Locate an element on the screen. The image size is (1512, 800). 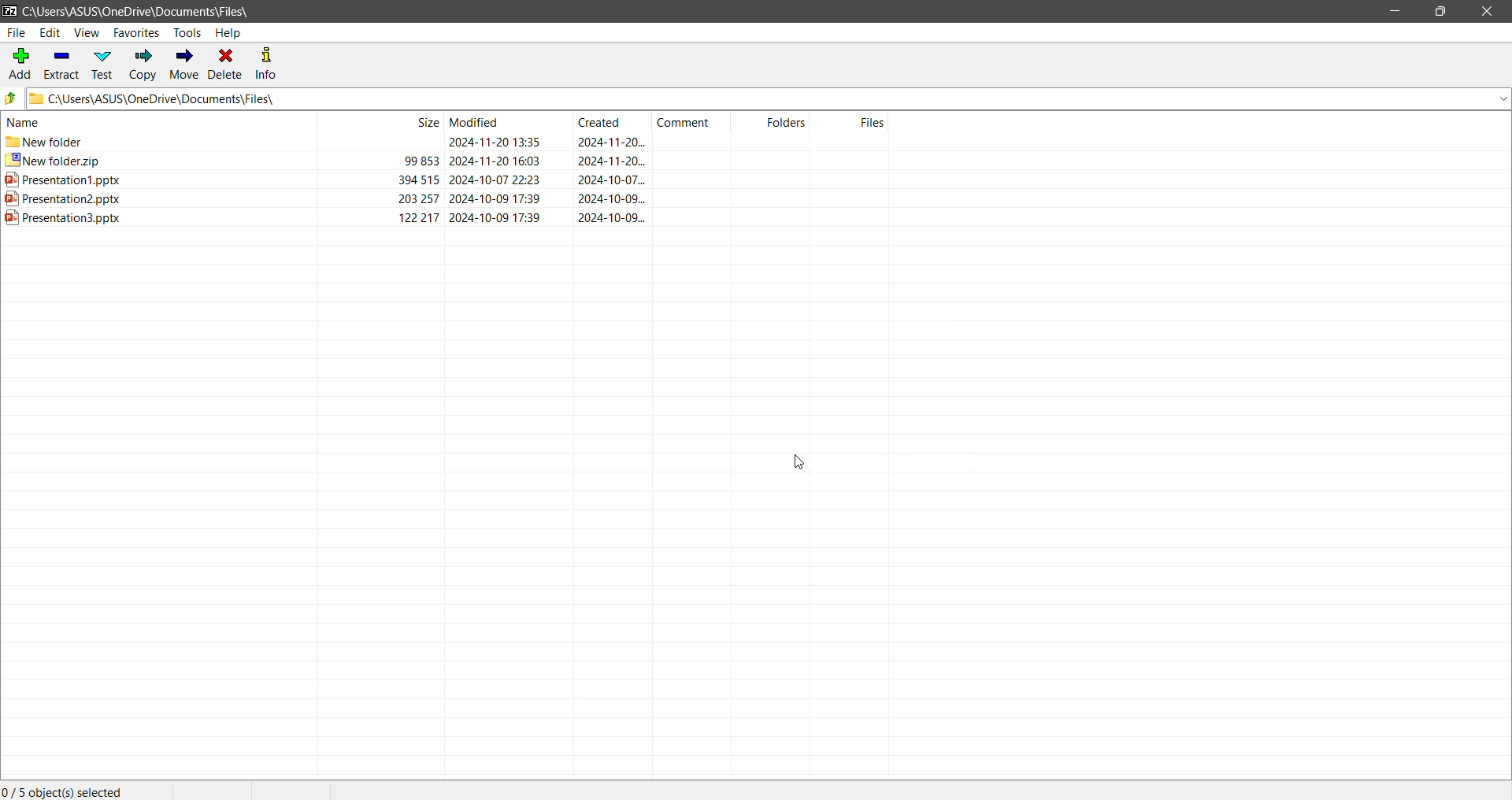
File is located at coordinates (16, 33).